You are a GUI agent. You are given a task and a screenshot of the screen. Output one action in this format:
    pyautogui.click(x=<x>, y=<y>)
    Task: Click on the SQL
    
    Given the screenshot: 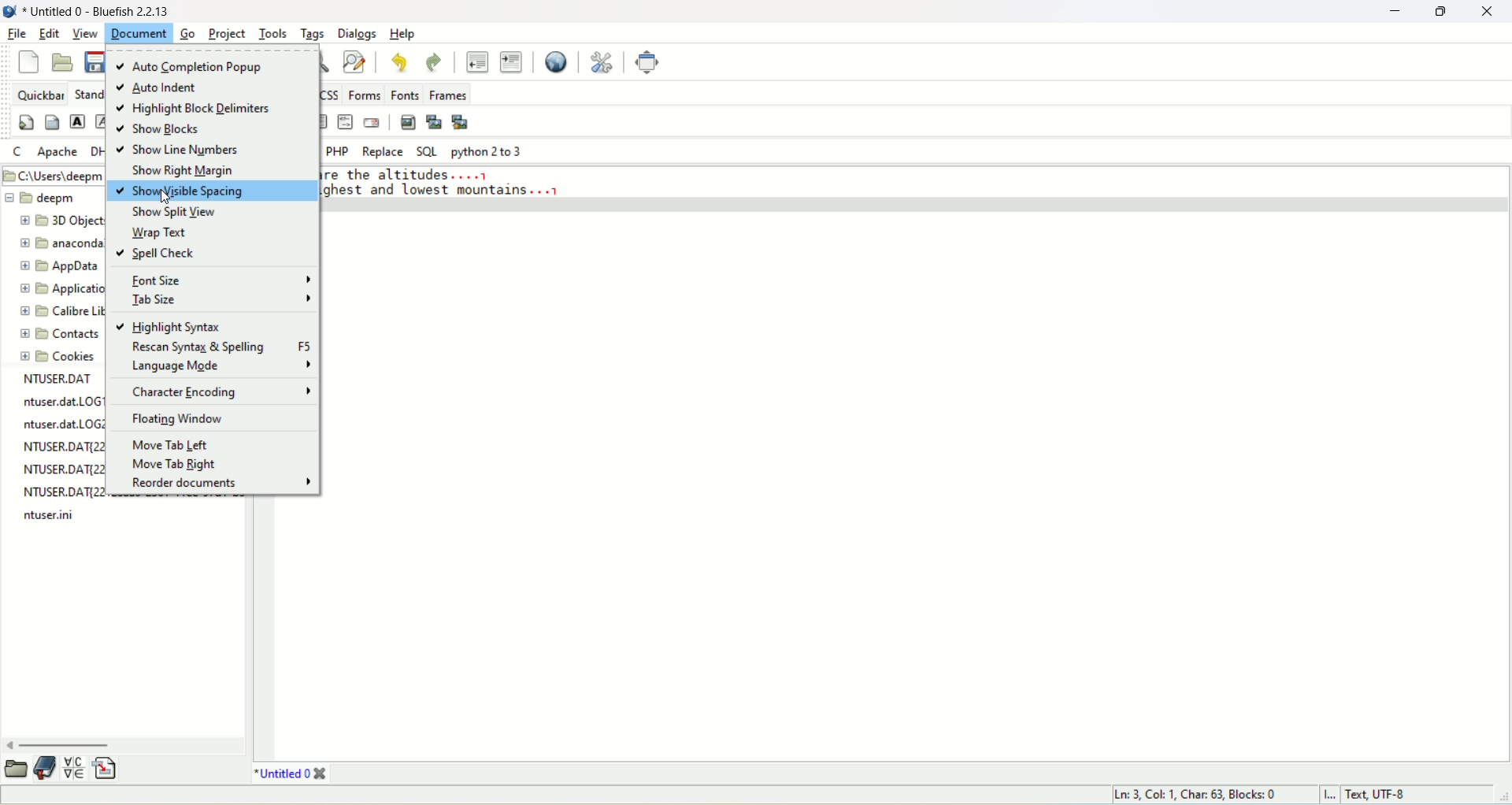 What is the action you would take?
    pyautogui.click(x=426, y=153)
    